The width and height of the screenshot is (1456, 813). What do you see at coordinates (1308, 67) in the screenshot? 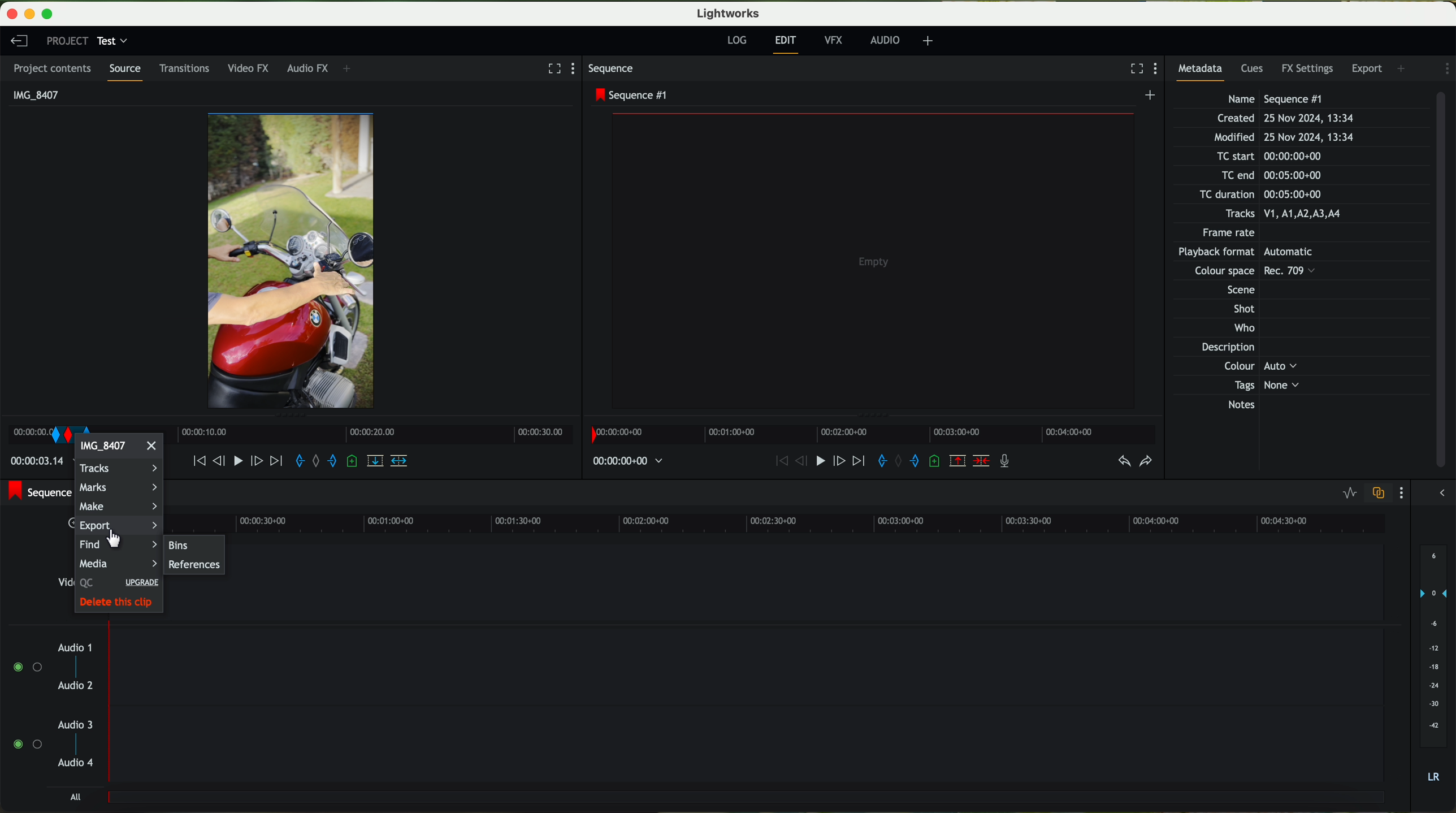
I see `FX settings` at bounding box center [1308, 67].